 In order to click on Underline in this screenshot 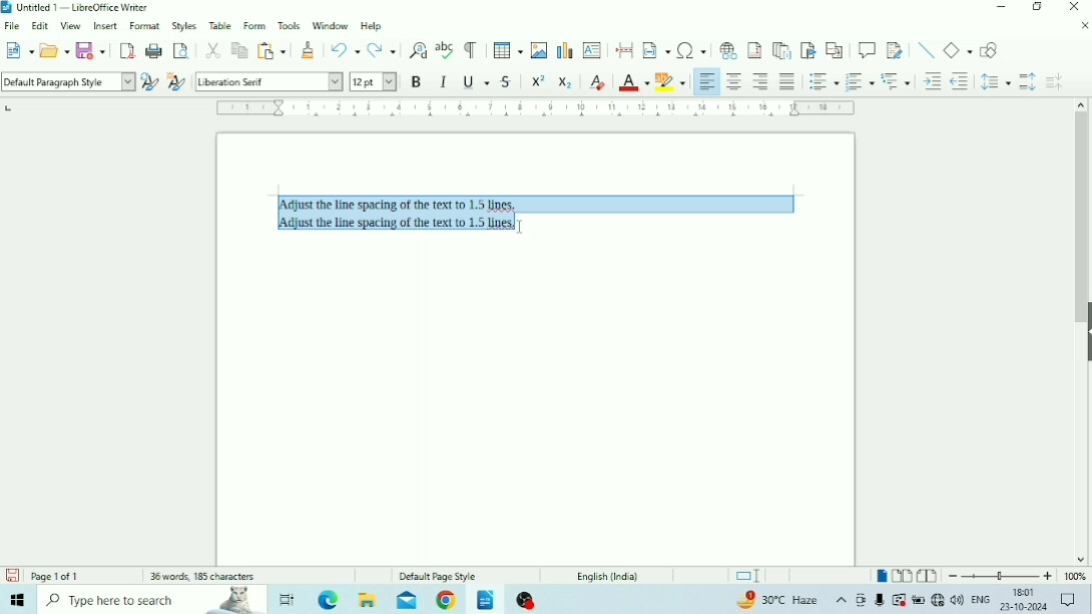, I will do `click(475, 81)`.